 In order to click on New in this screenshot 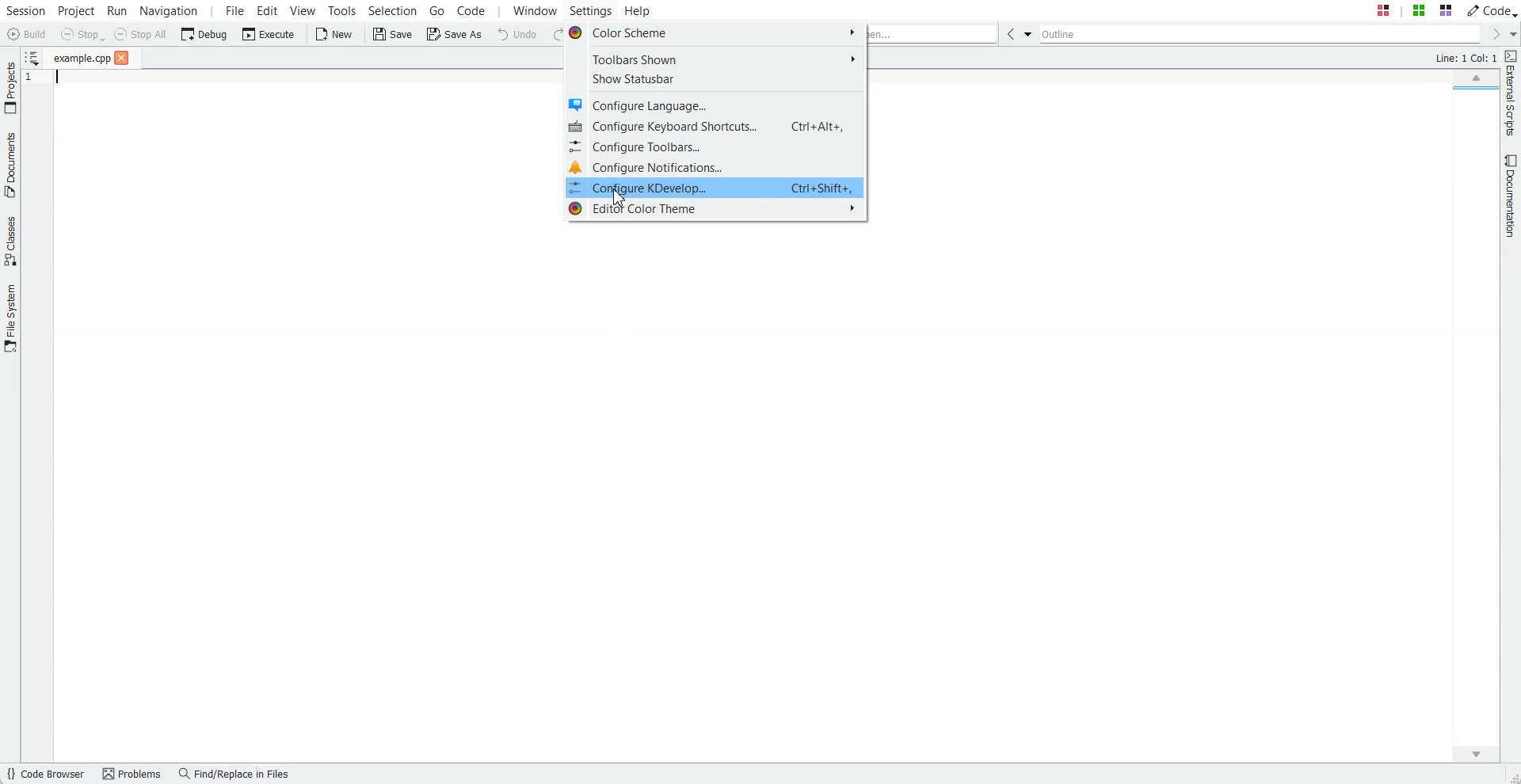, I will do `click(336, 35)`.